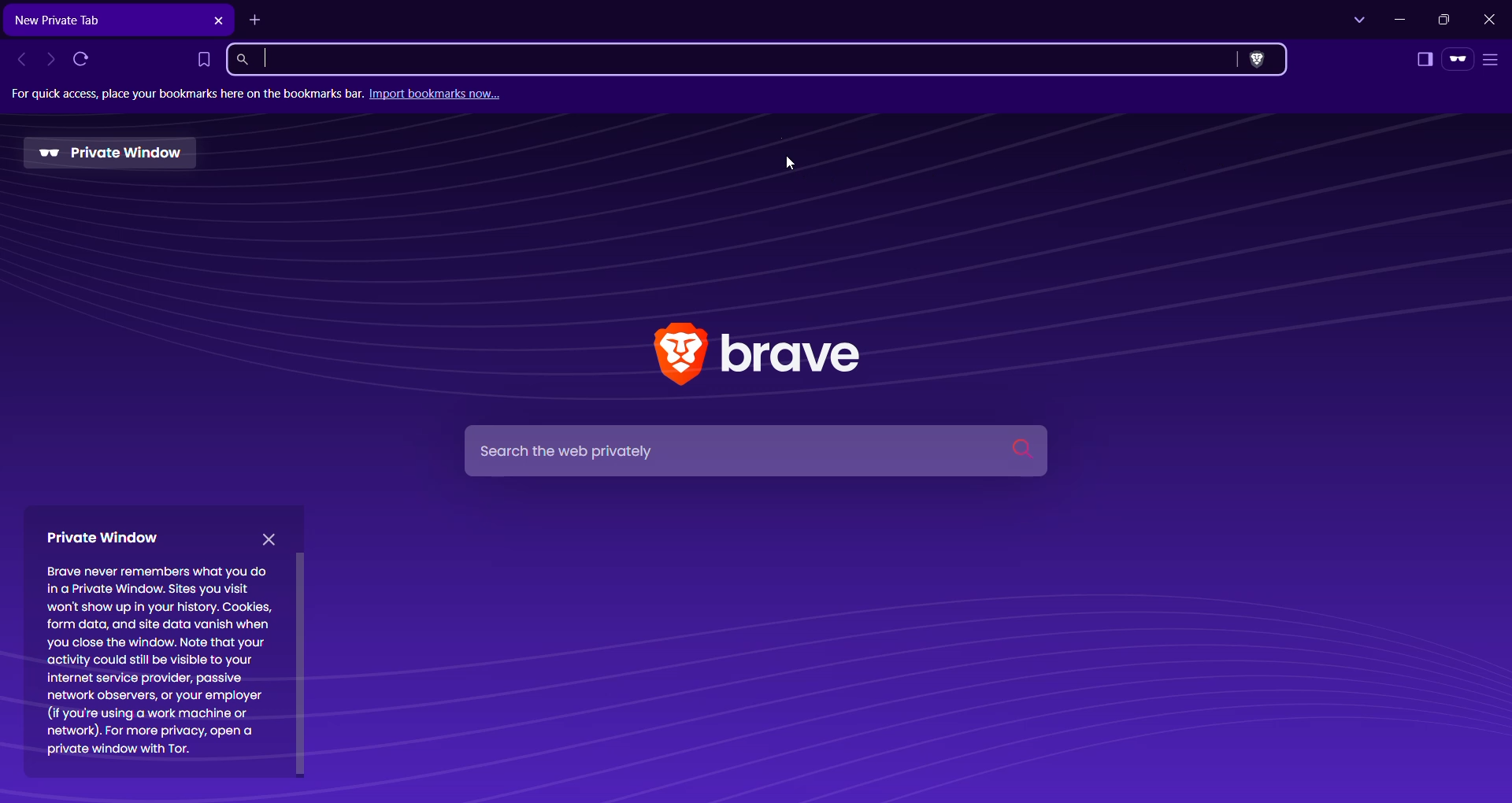 The width and height of the screenshot is (1512, 803). I want to click on New Tab, so click(257, 20).